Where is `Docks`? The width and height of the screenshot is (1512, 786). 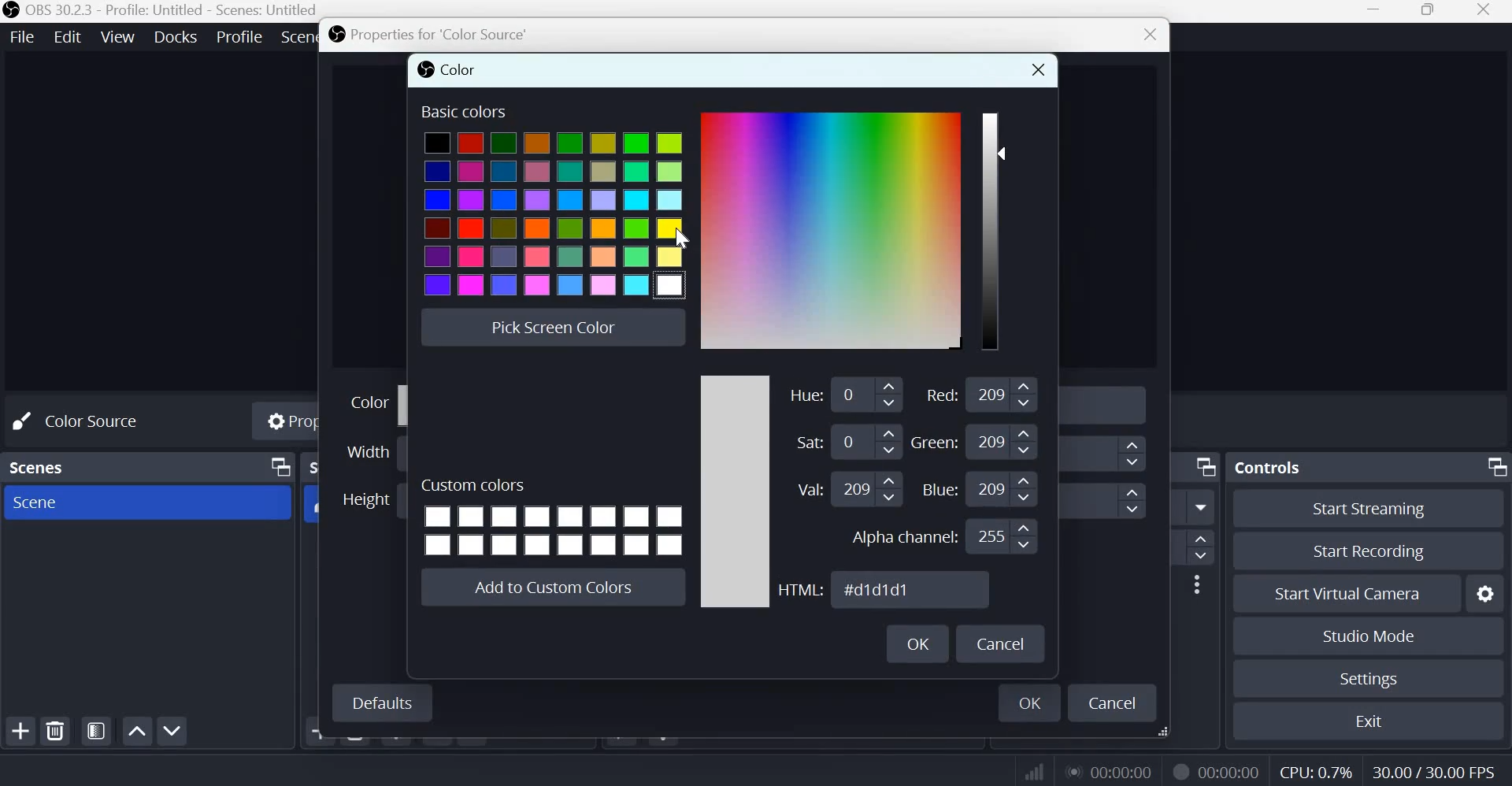 Docks is located at coordinates (176, 36).